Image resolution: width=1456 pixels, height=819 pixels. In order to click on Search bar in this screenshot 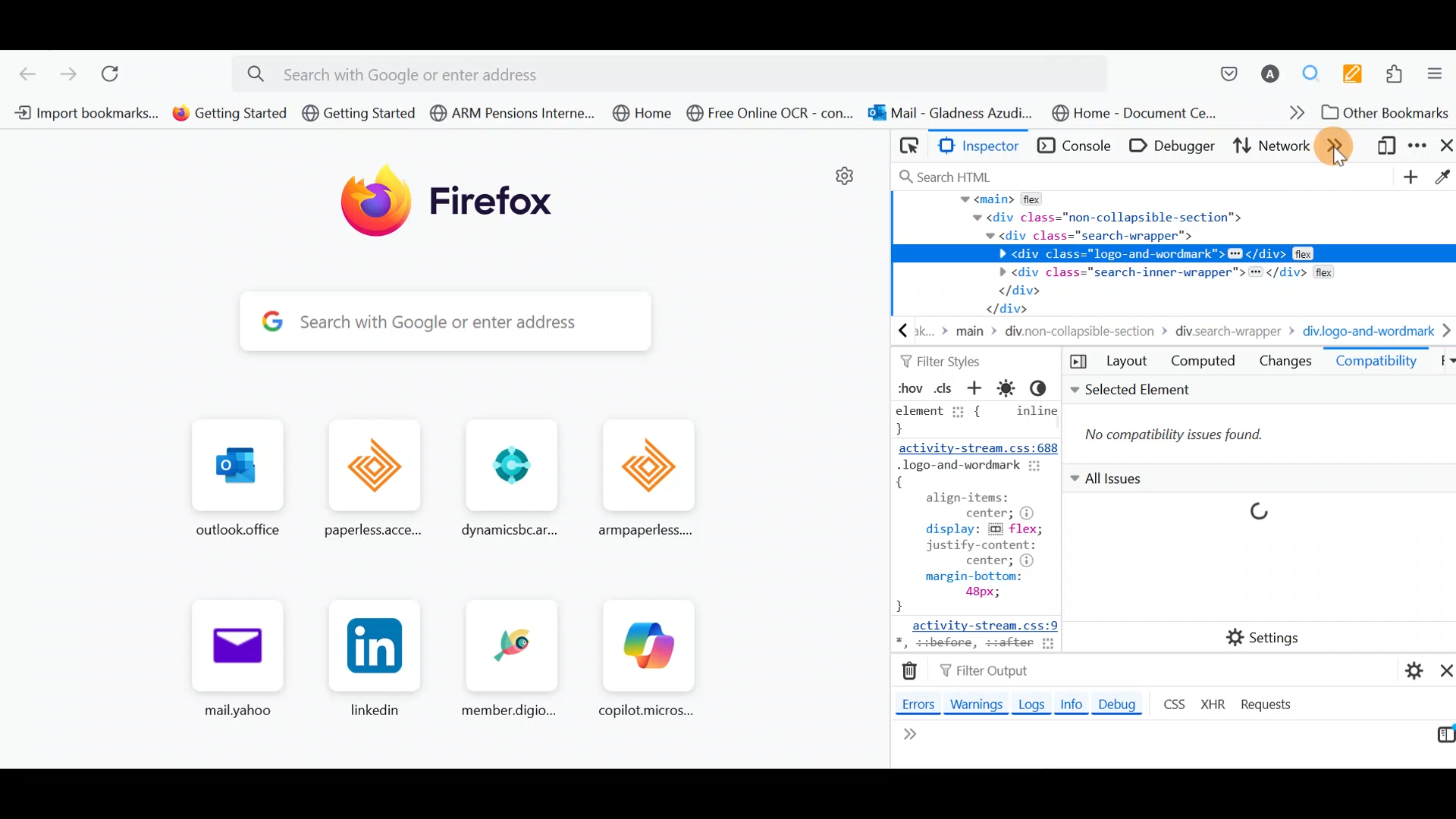, I will do `click(1146, 177)`.